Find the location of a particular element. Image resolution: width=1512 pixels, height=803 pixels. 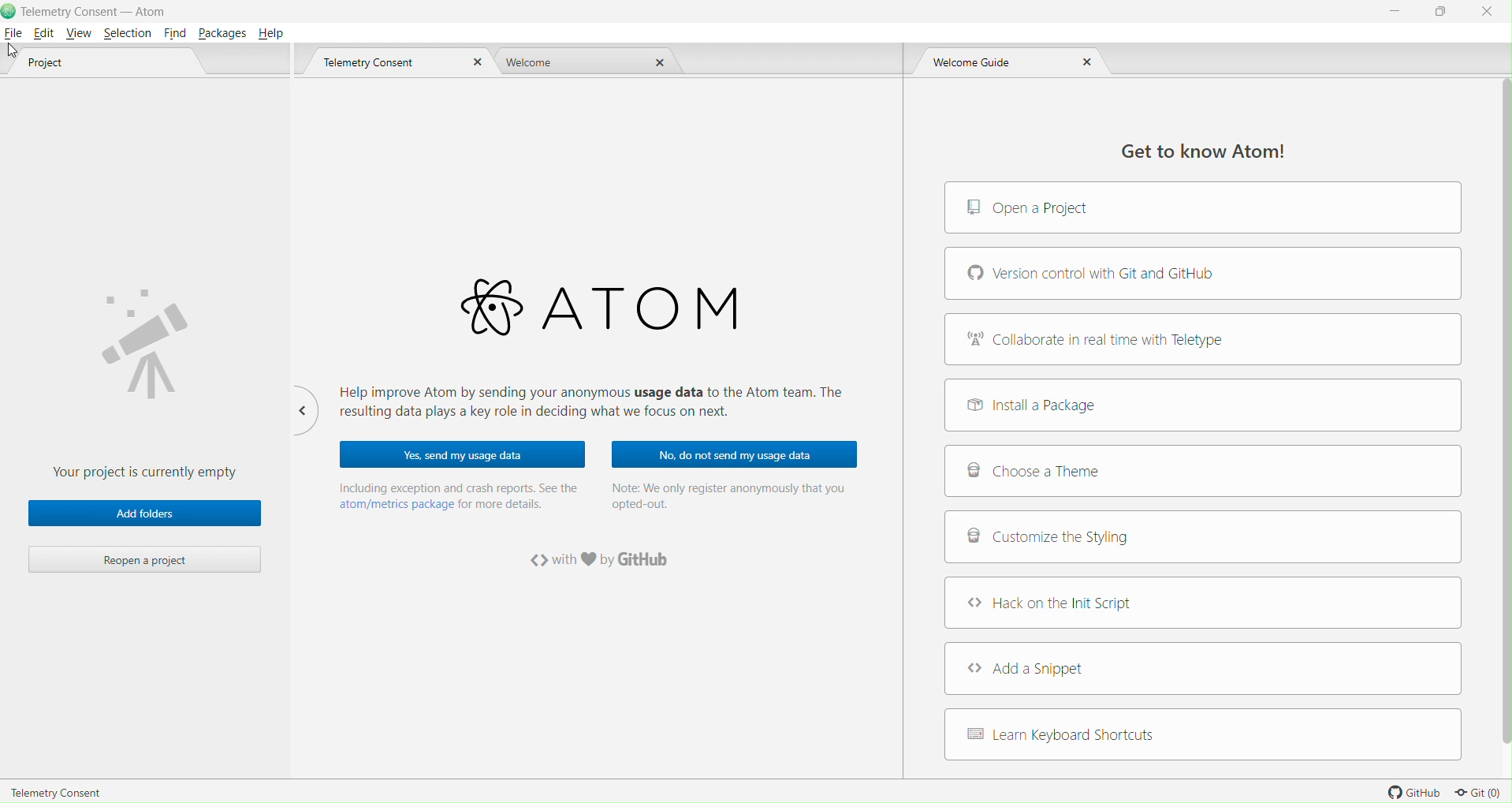

Close is located at coordinates (1488, 12).